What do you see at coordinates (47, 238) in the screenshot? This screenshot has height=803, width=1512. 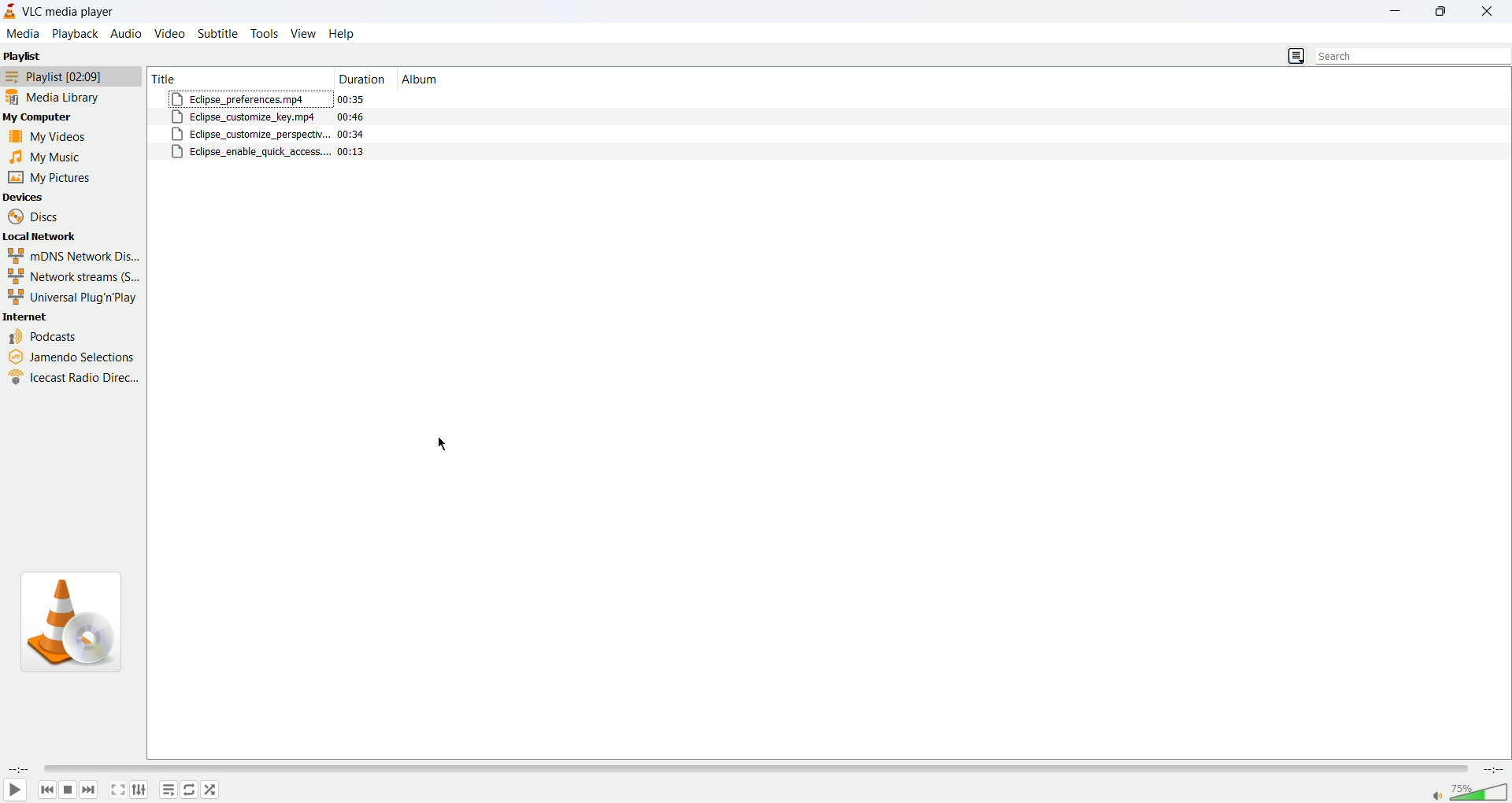 I see `local network` at bounding box center [47, 238].